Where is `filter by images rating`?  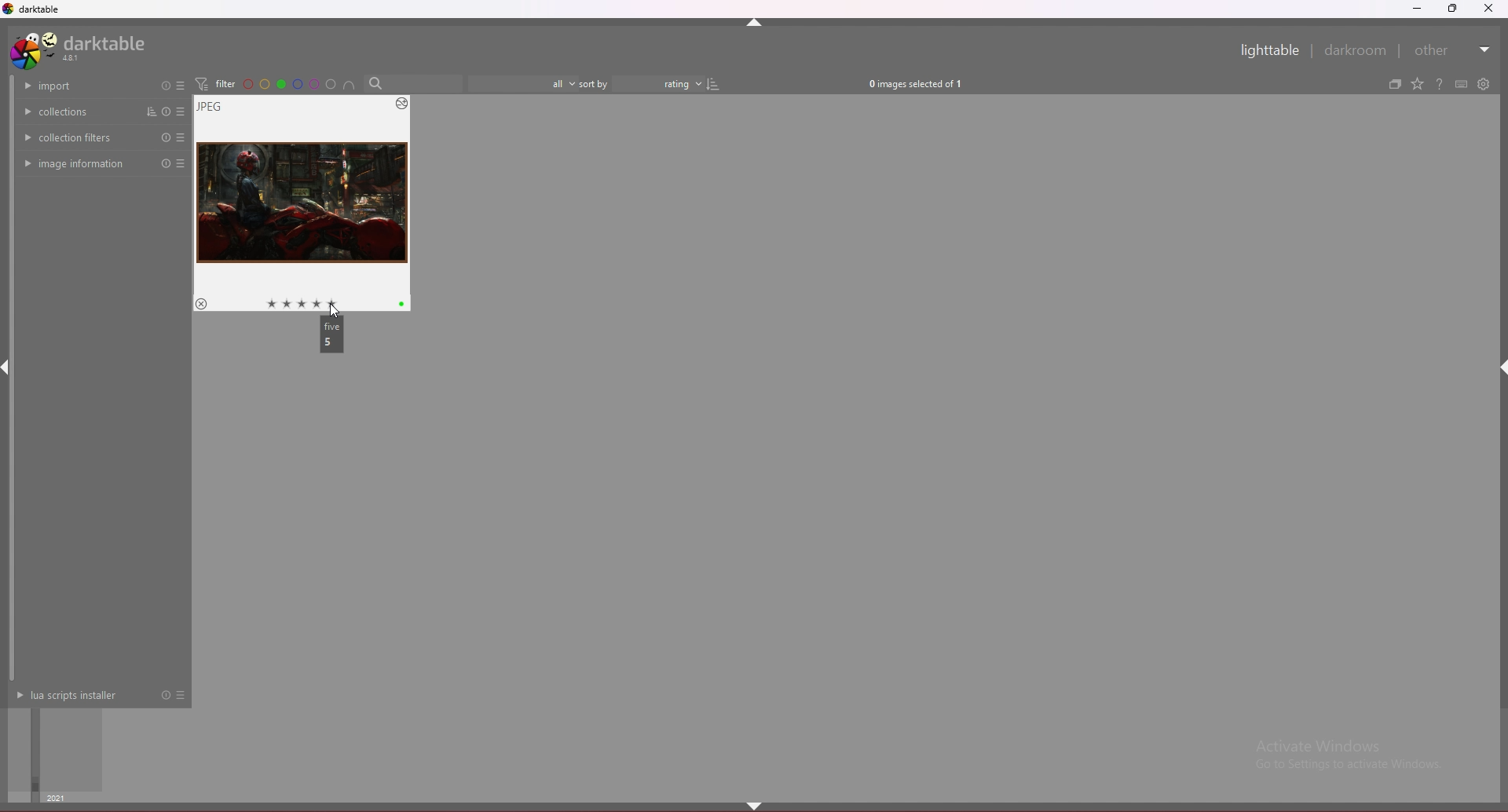 filter by images rating is located at coordinates (522, 84).